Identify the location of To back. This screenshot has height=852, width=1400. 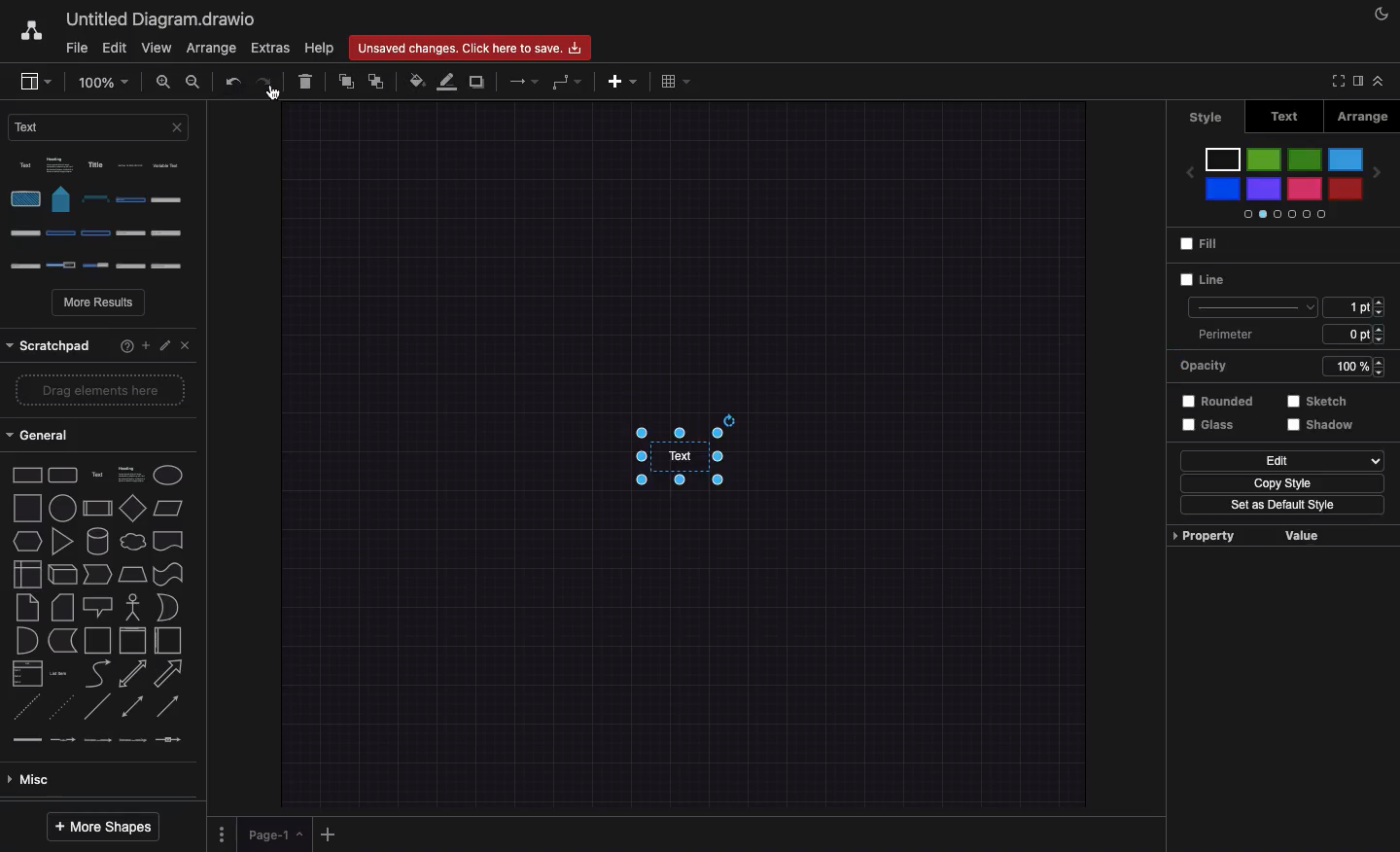
(378, 81).